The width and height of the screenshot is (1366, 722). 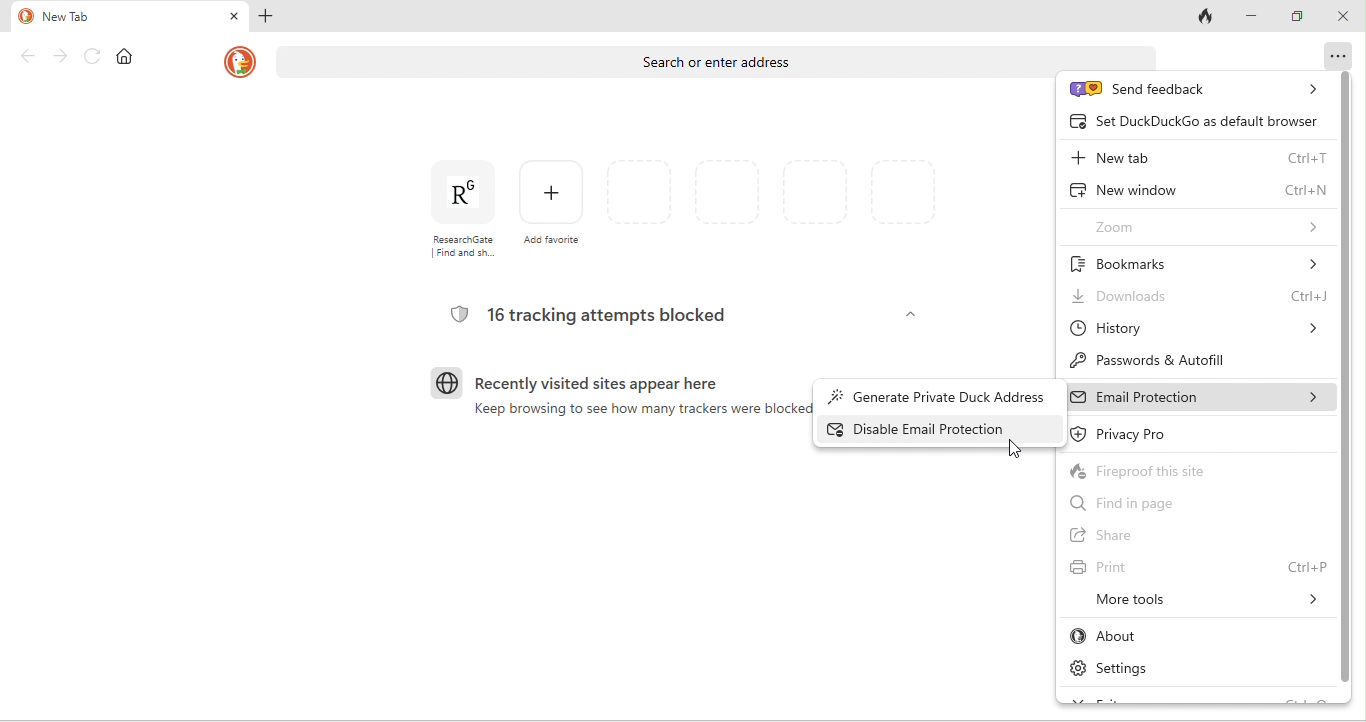 I want to click on home, so click(x=130, y=57).